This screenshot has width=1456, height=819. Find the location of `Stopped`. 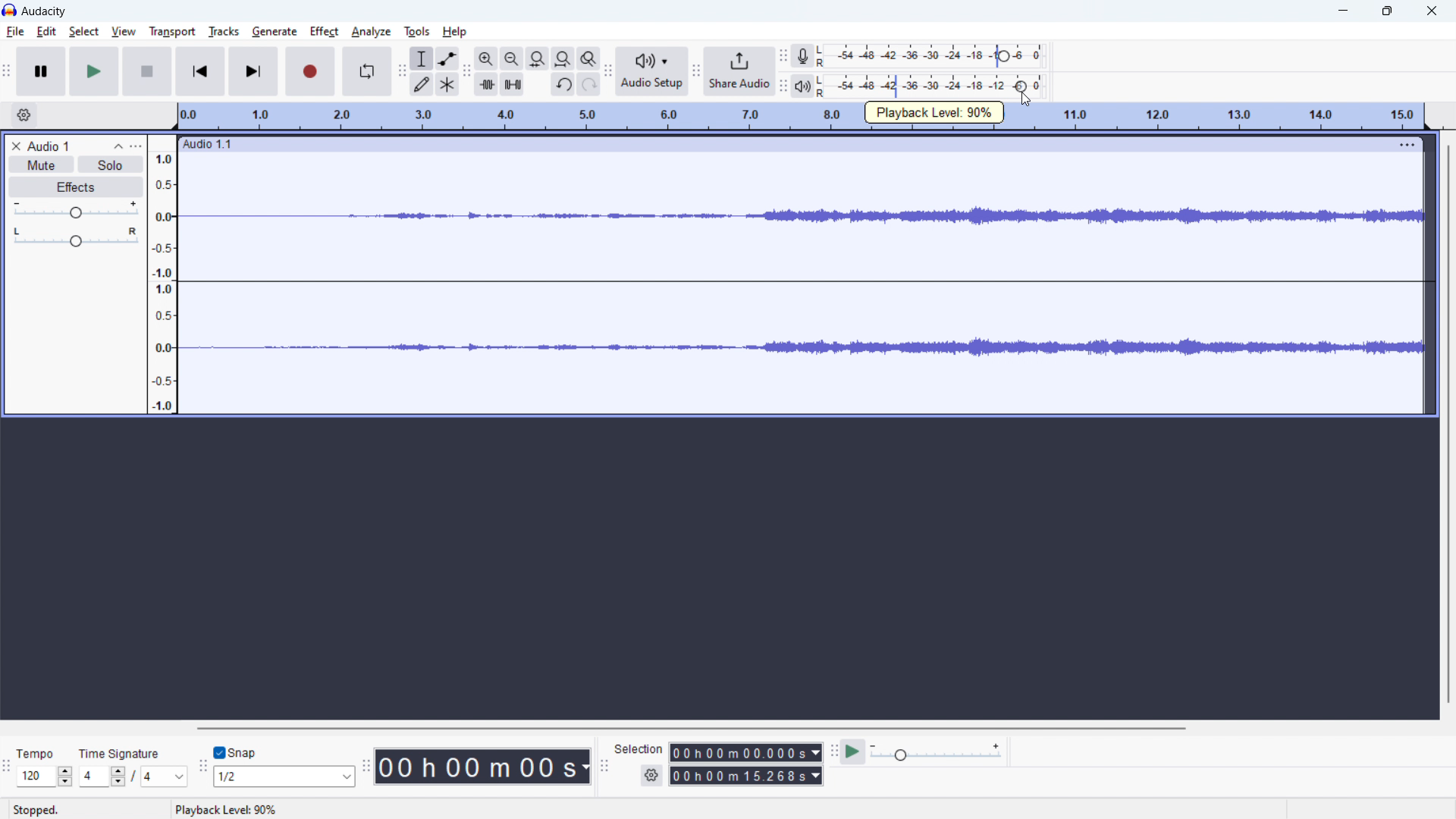

Stopped is located at coordinates (35, 810).